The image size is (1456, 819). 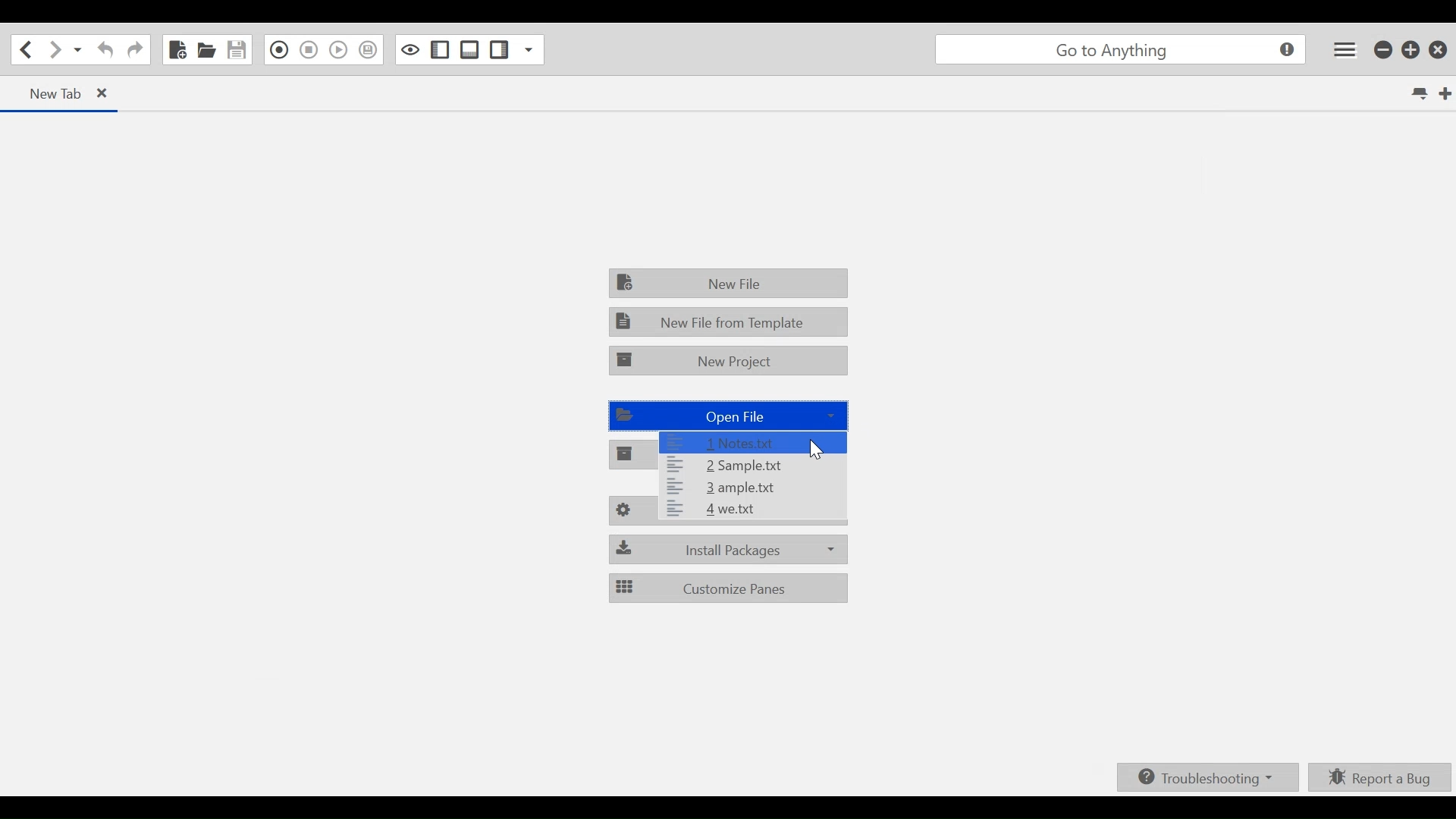 I want to click on Go back one location, so click(x=22, y=49).